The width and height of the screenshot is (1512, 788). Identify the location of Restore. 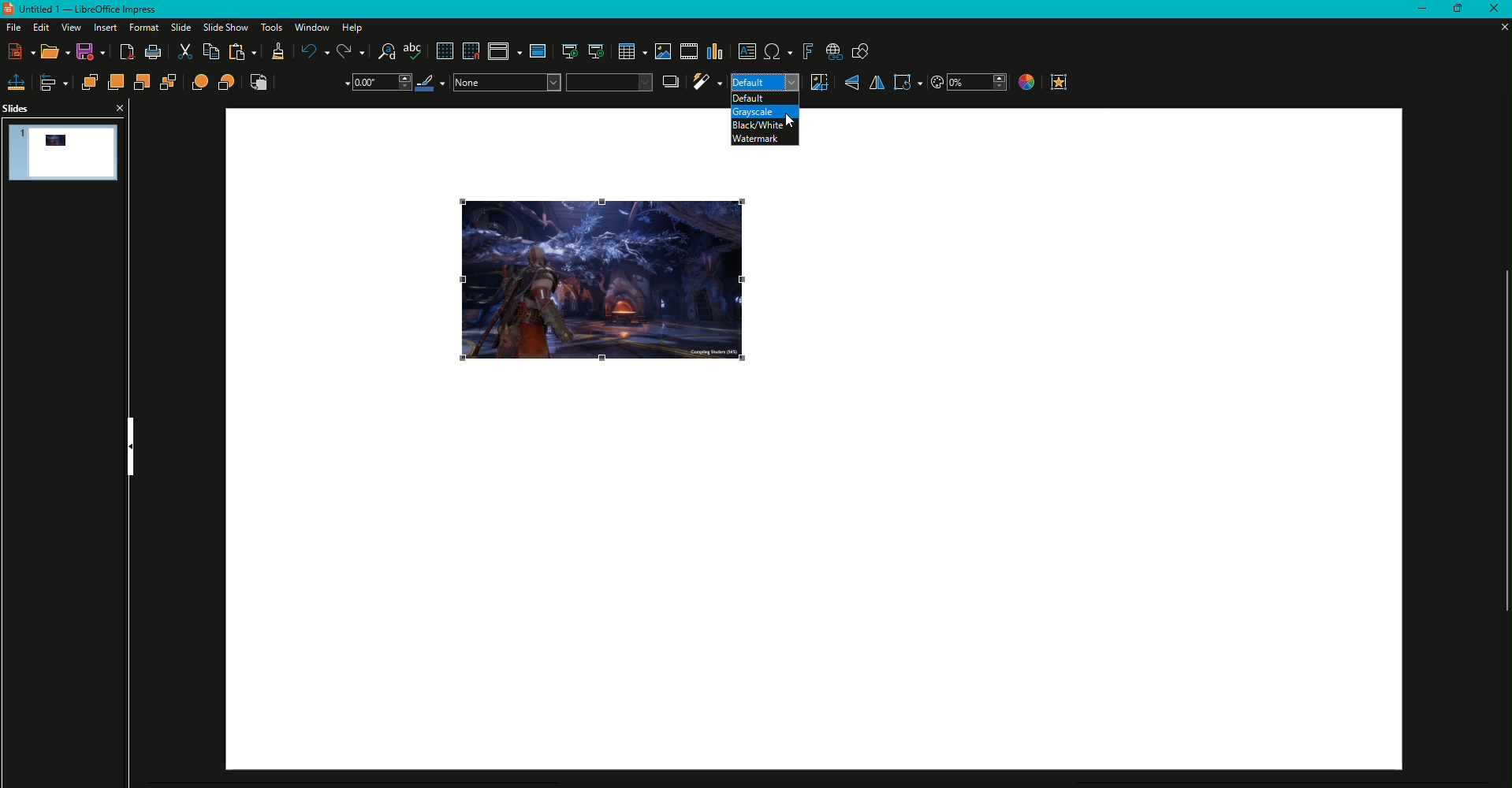
(1454, 9).